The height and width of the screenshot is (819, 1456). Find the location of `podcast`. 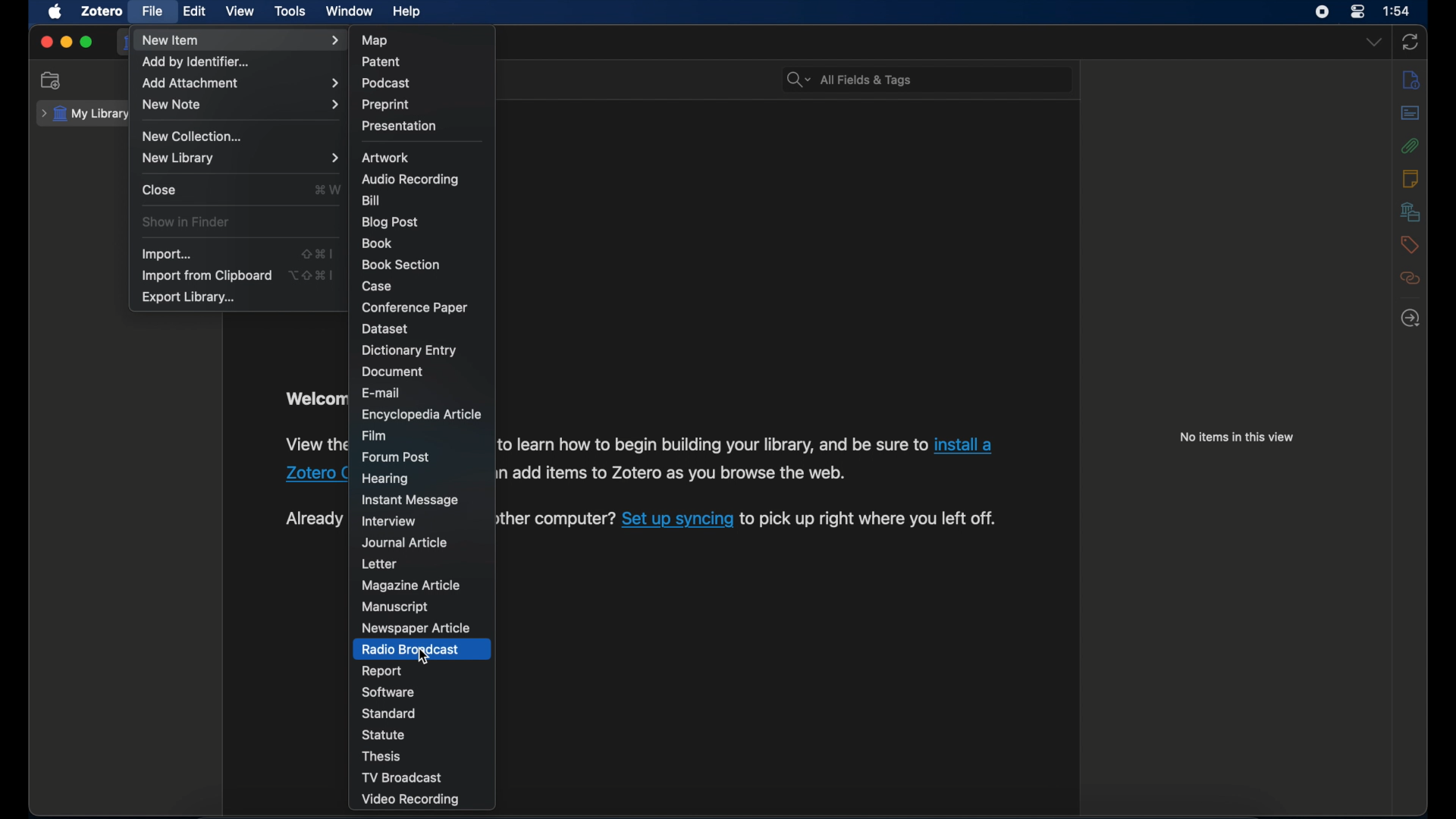

podcast is located at coordinates (388, 83).